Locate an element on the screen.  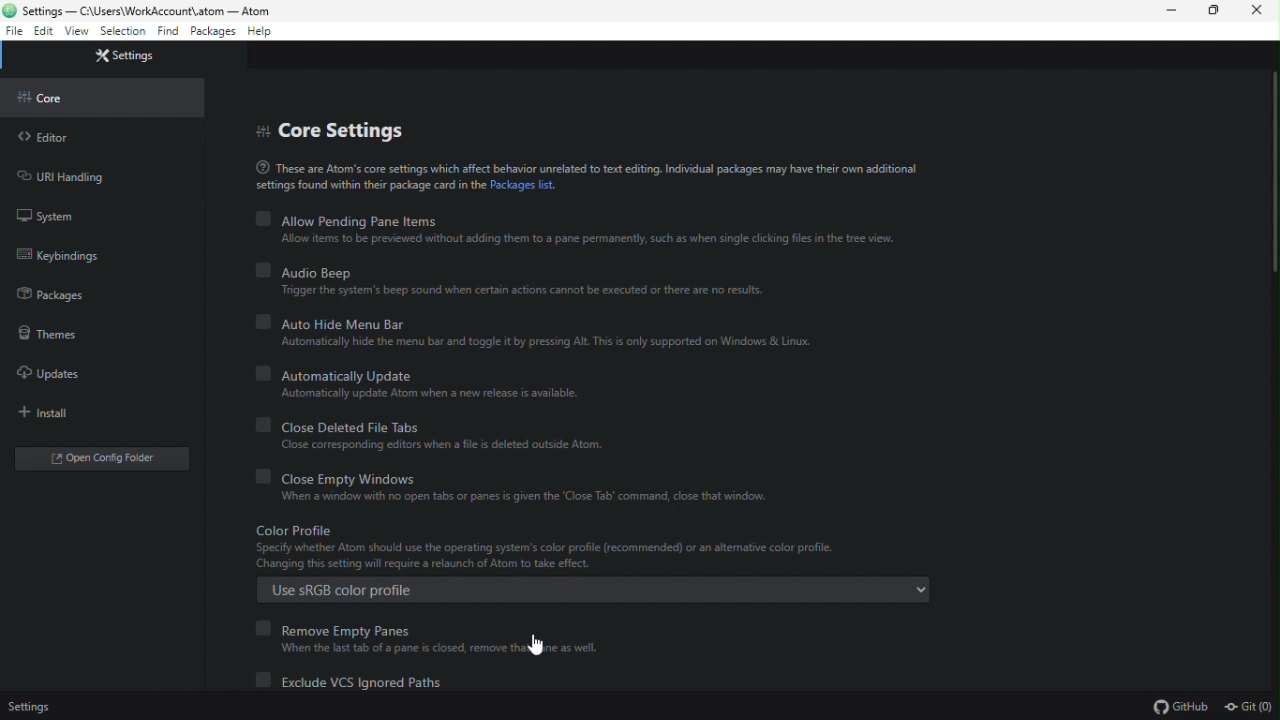
install is located at coordinates (51, 413).